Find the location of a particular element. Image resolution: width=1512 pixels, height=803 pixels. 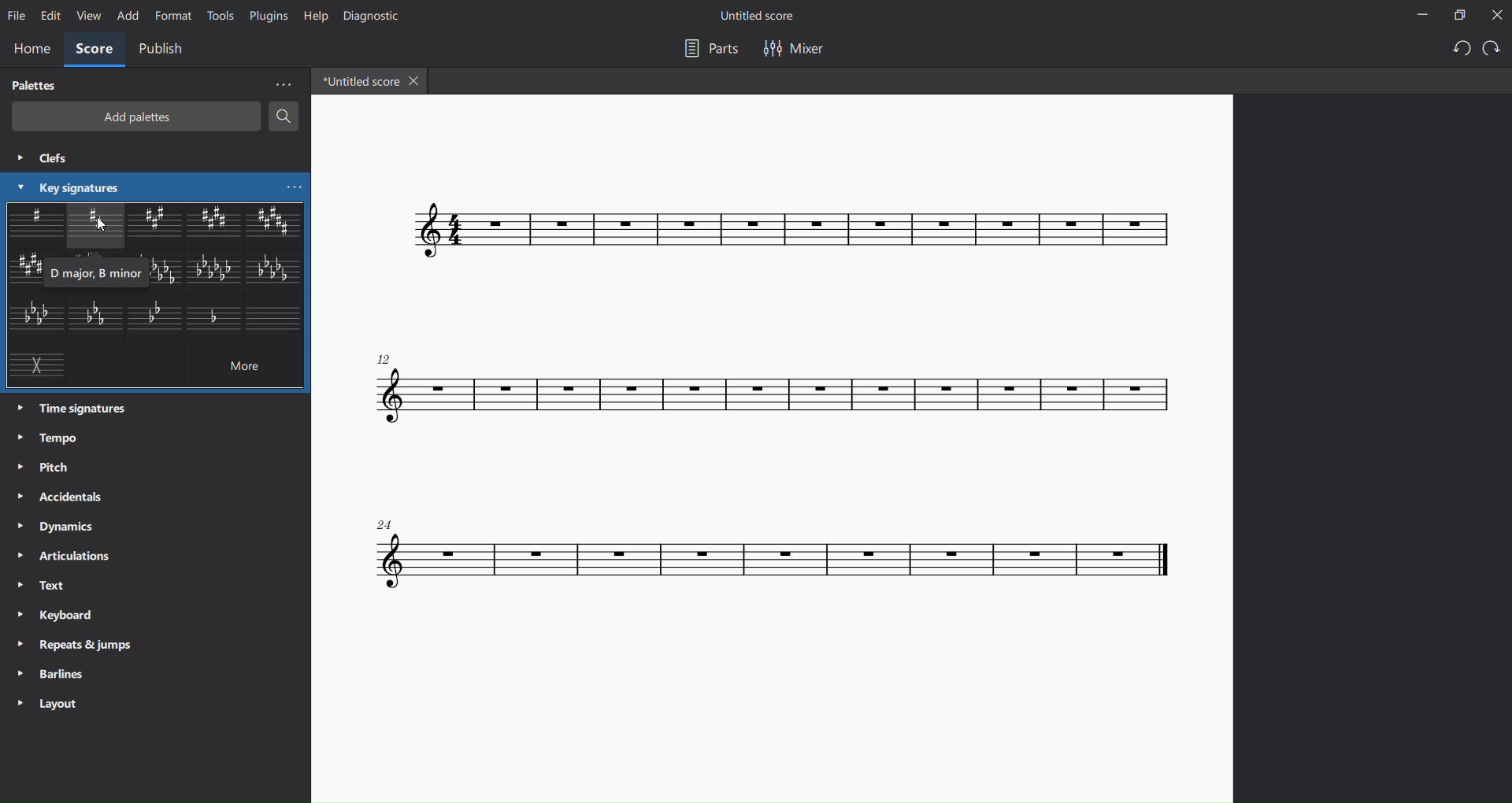

cursor is located at coordinates (144, 191).